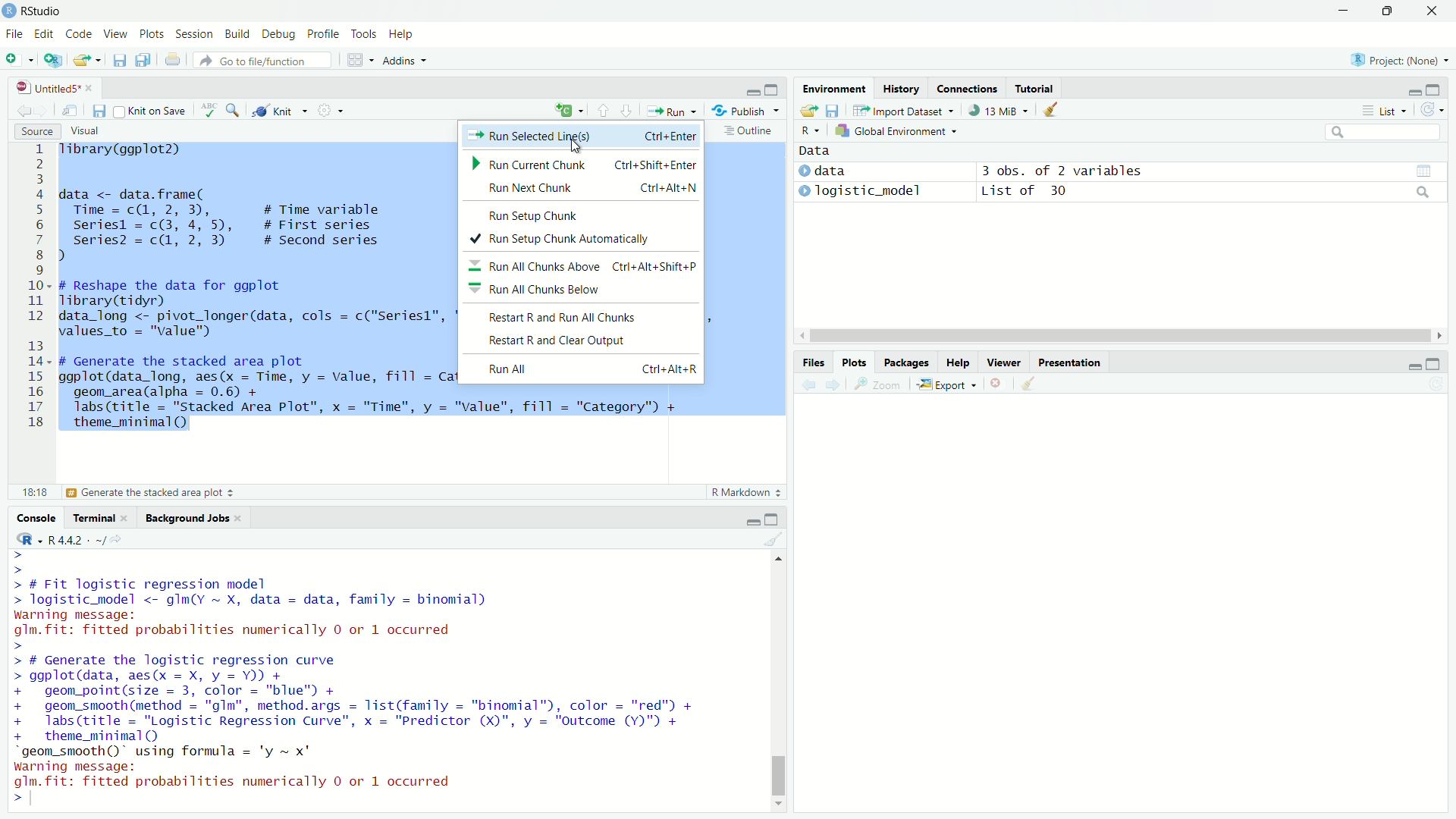 This screenshot has width=1456, height=819. Describe the element at coordinates (44, 33) in the screenshot. I see `Edit` at that location.